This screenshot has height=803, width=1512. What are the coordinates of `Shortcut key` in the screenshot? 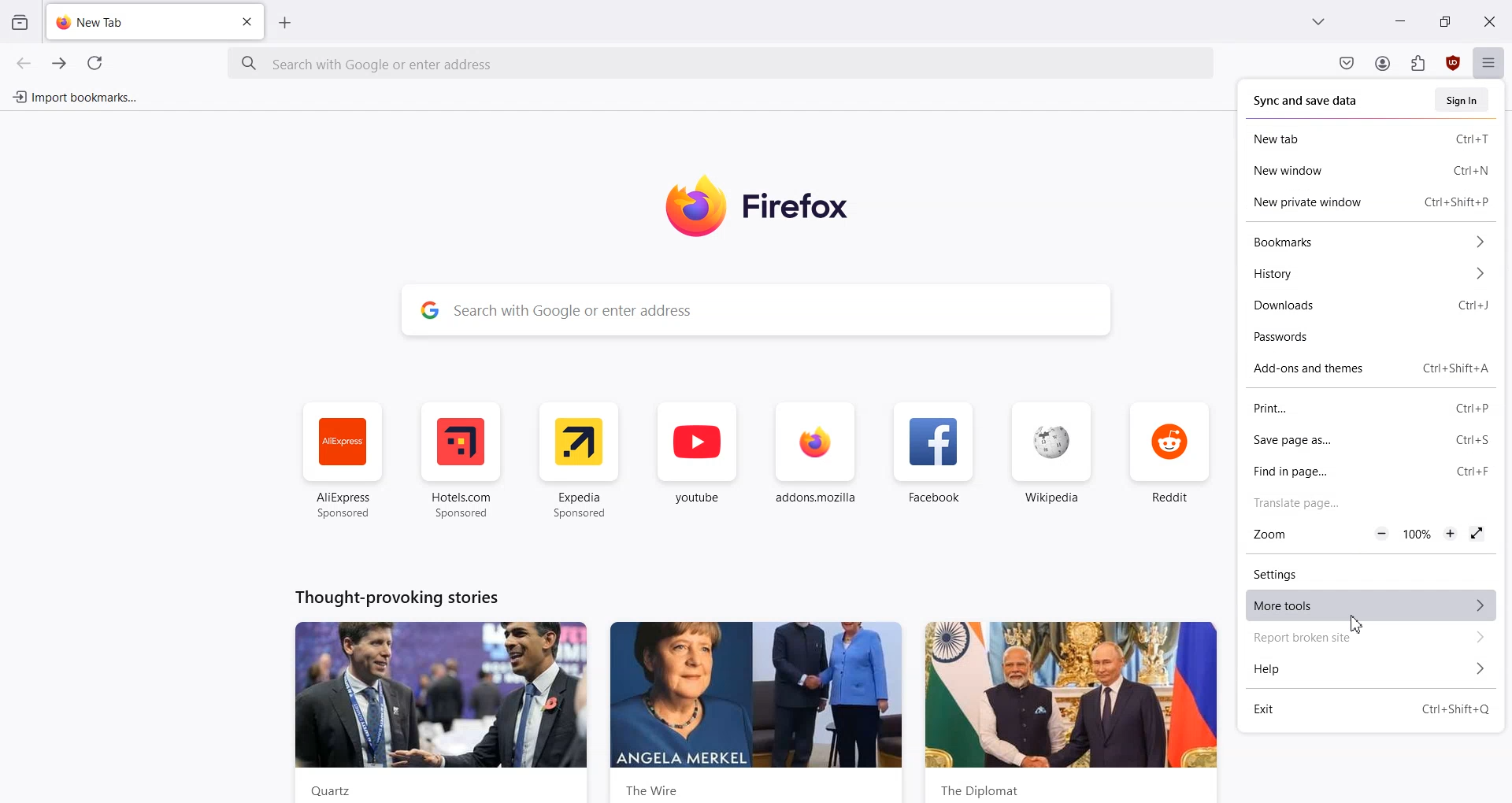 It's located at (1473, 439).